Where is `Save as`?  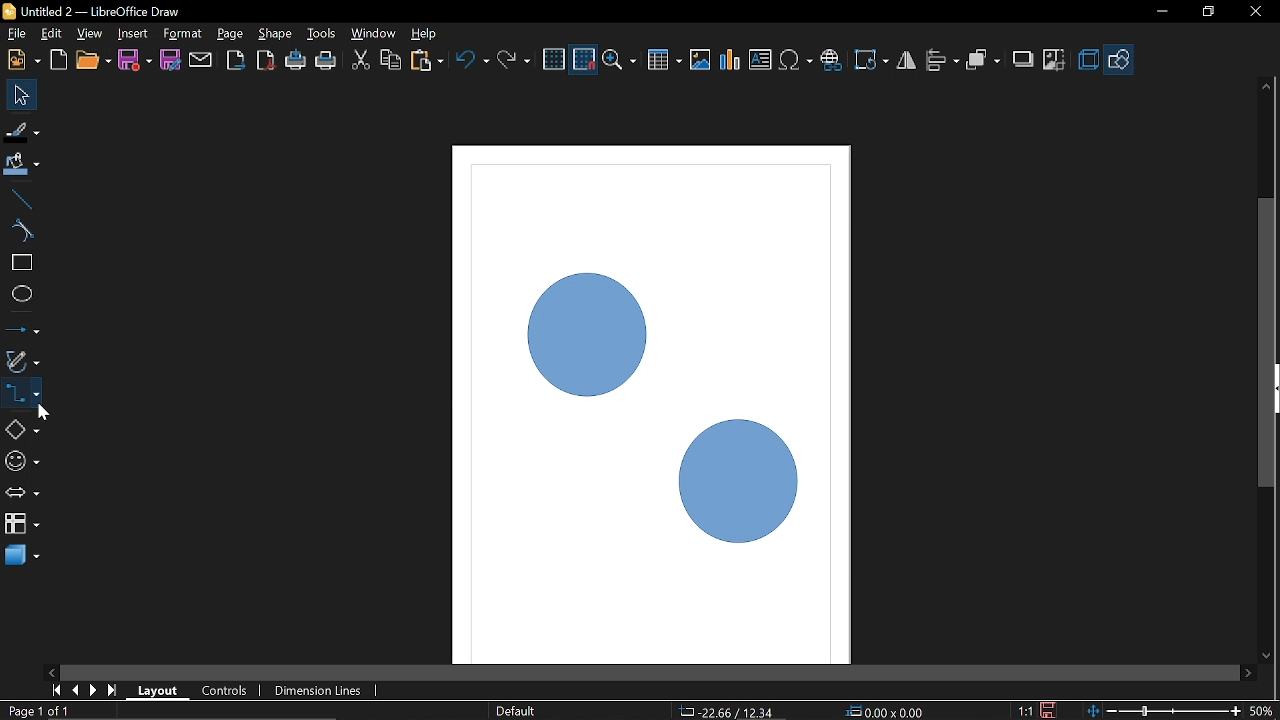
Save as is located at coordinates (170, 59).